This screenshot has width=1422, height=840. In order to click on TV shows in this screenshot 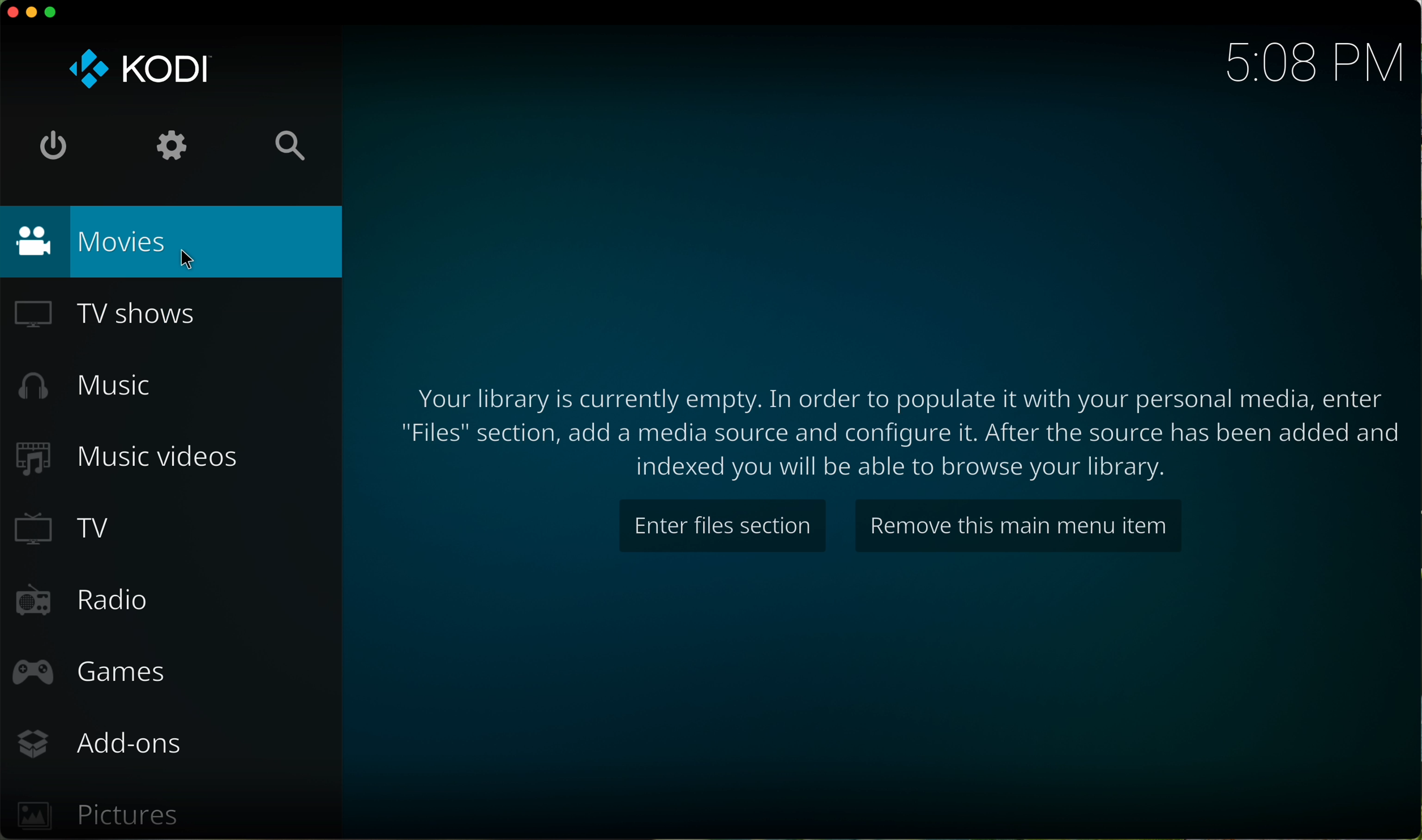, I will do `click(109, 311)`.